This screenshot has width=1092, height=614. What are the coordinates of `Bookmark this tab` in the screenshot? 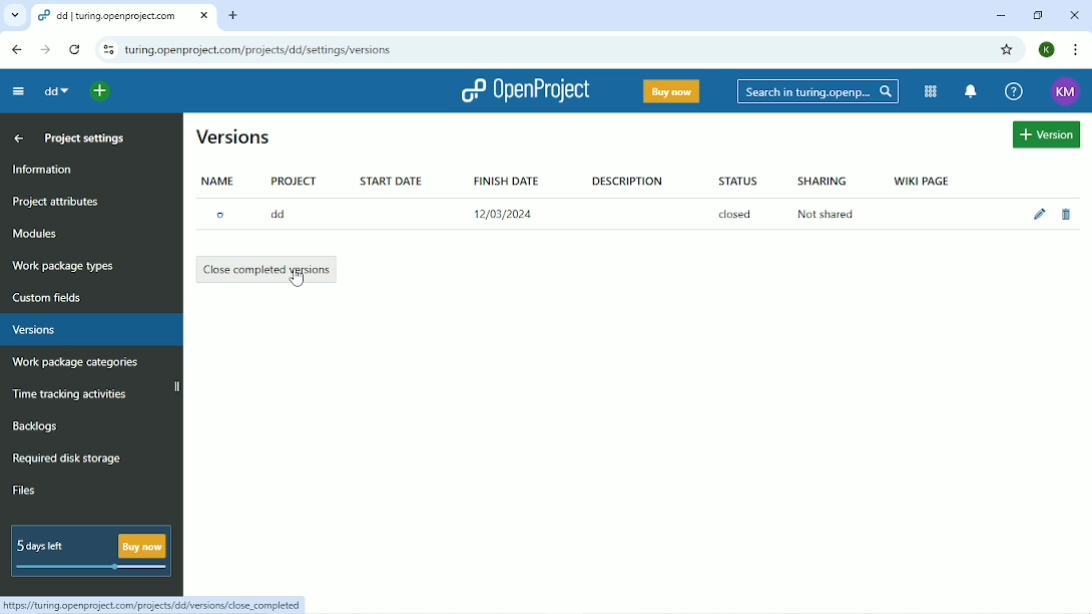 It's located at (1007, 49).